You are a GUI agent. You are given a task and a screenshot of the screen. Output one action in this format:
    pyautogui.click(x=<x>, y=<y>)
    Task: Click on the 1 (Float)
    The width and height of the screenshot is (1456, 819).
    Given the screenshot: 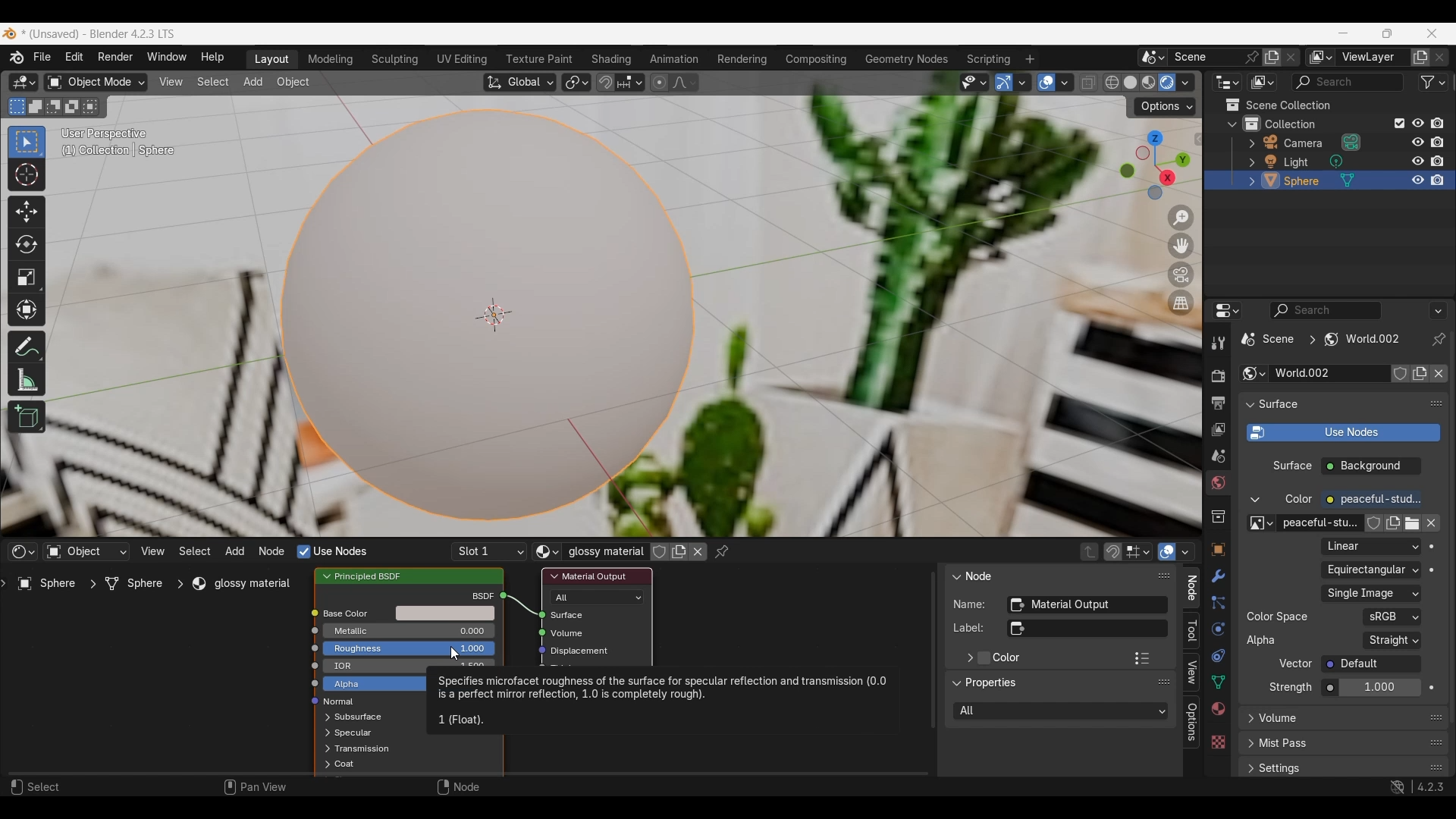 What is the action you would take?
    pyautogui.click(x=466, y=720)
    